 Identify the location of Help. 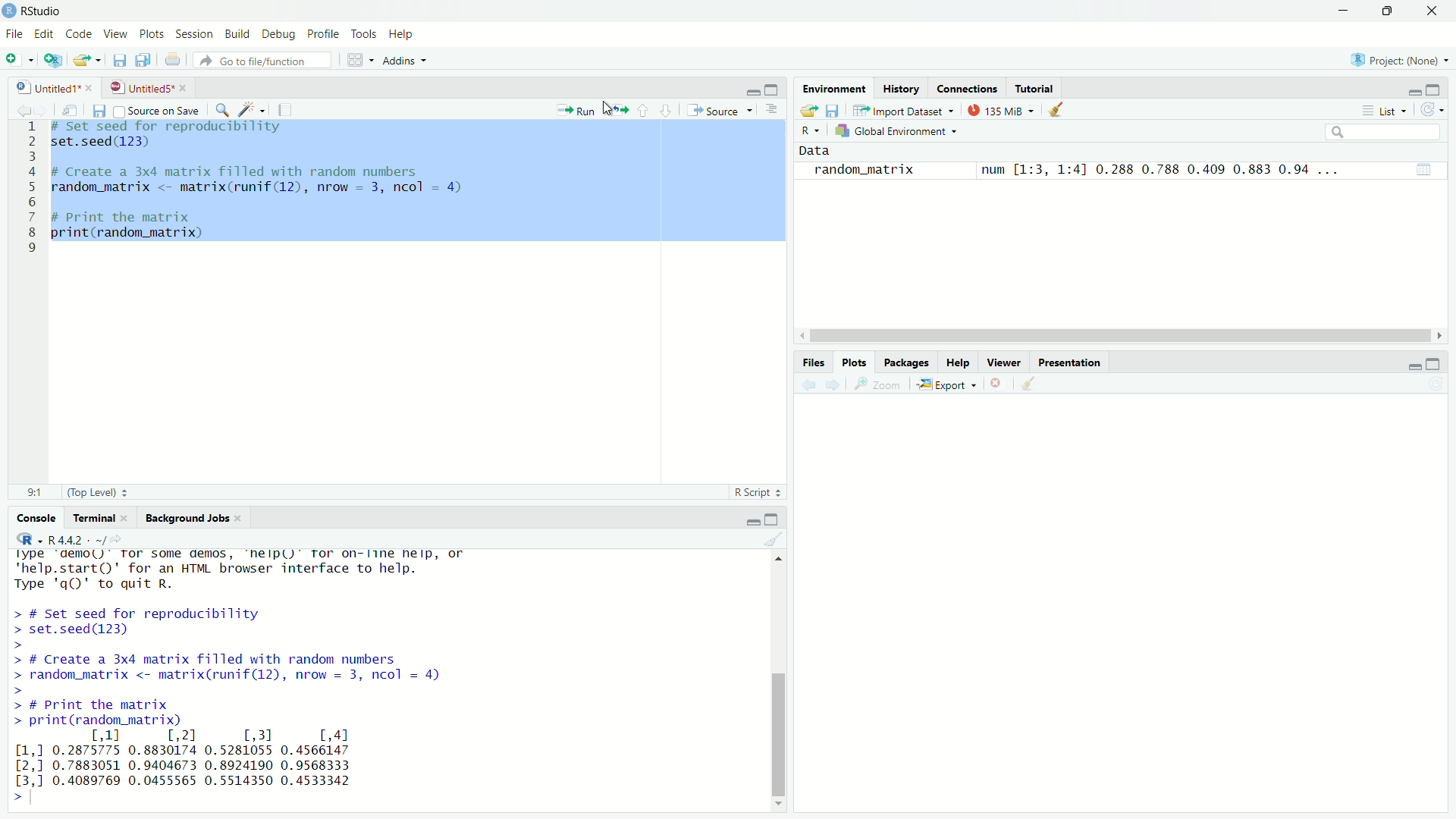
(405, 36).